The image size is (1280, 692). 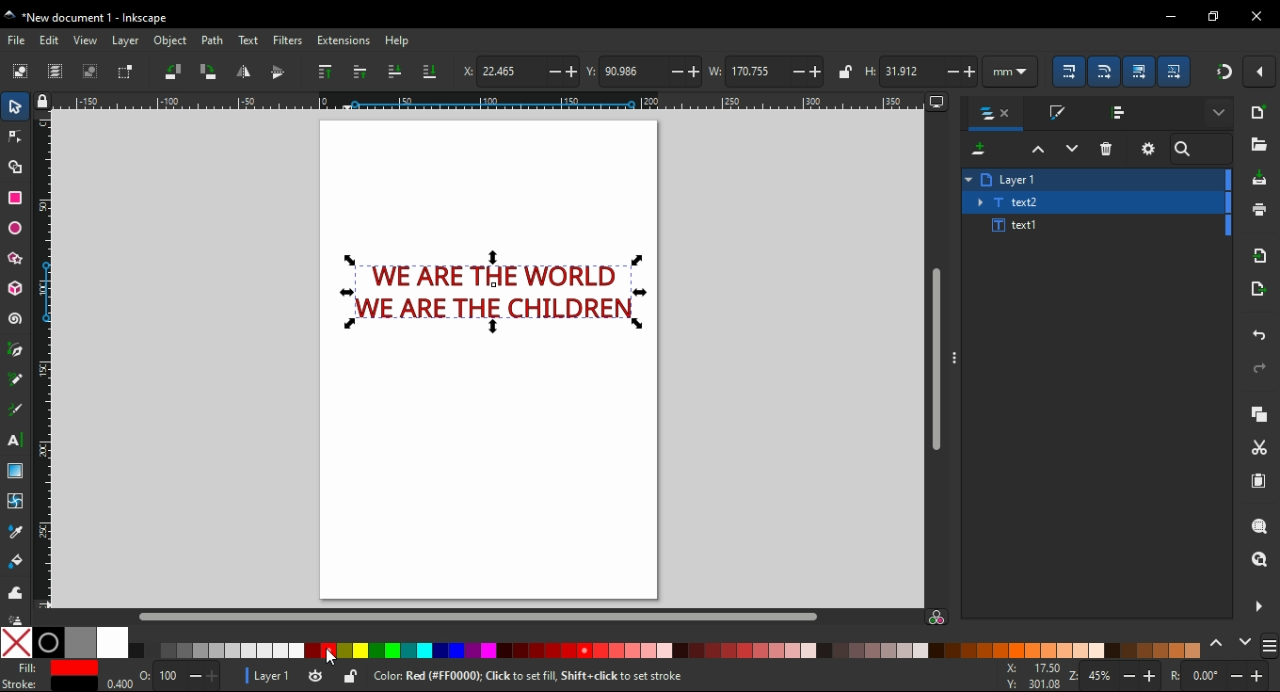 I want to click on delete layer, so click(x=1106, y=149).